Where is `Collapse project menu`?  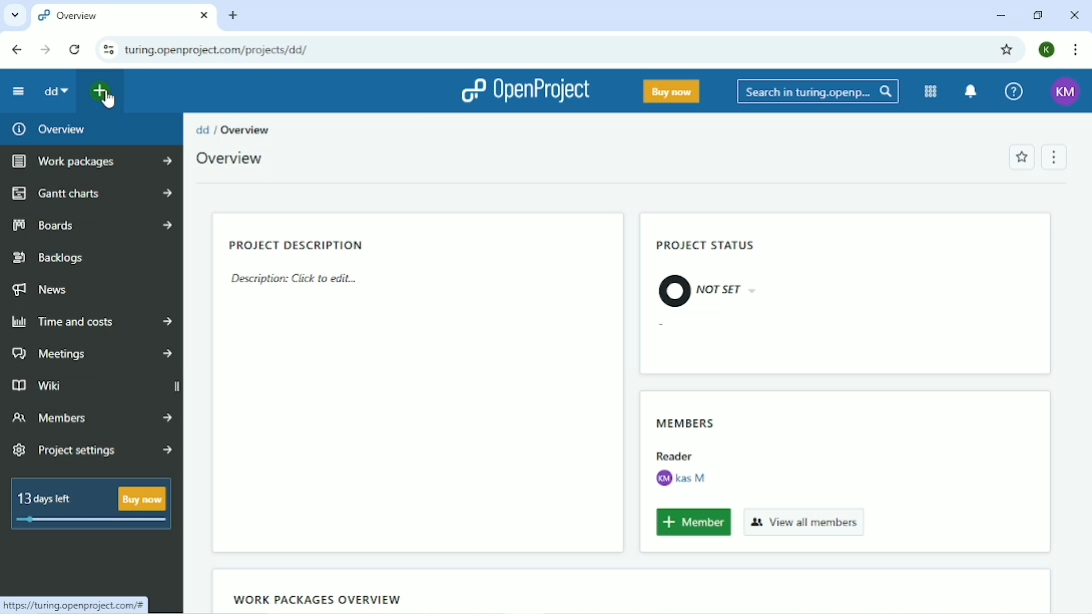
Collapse project menu is located at coordinates (18, 91).